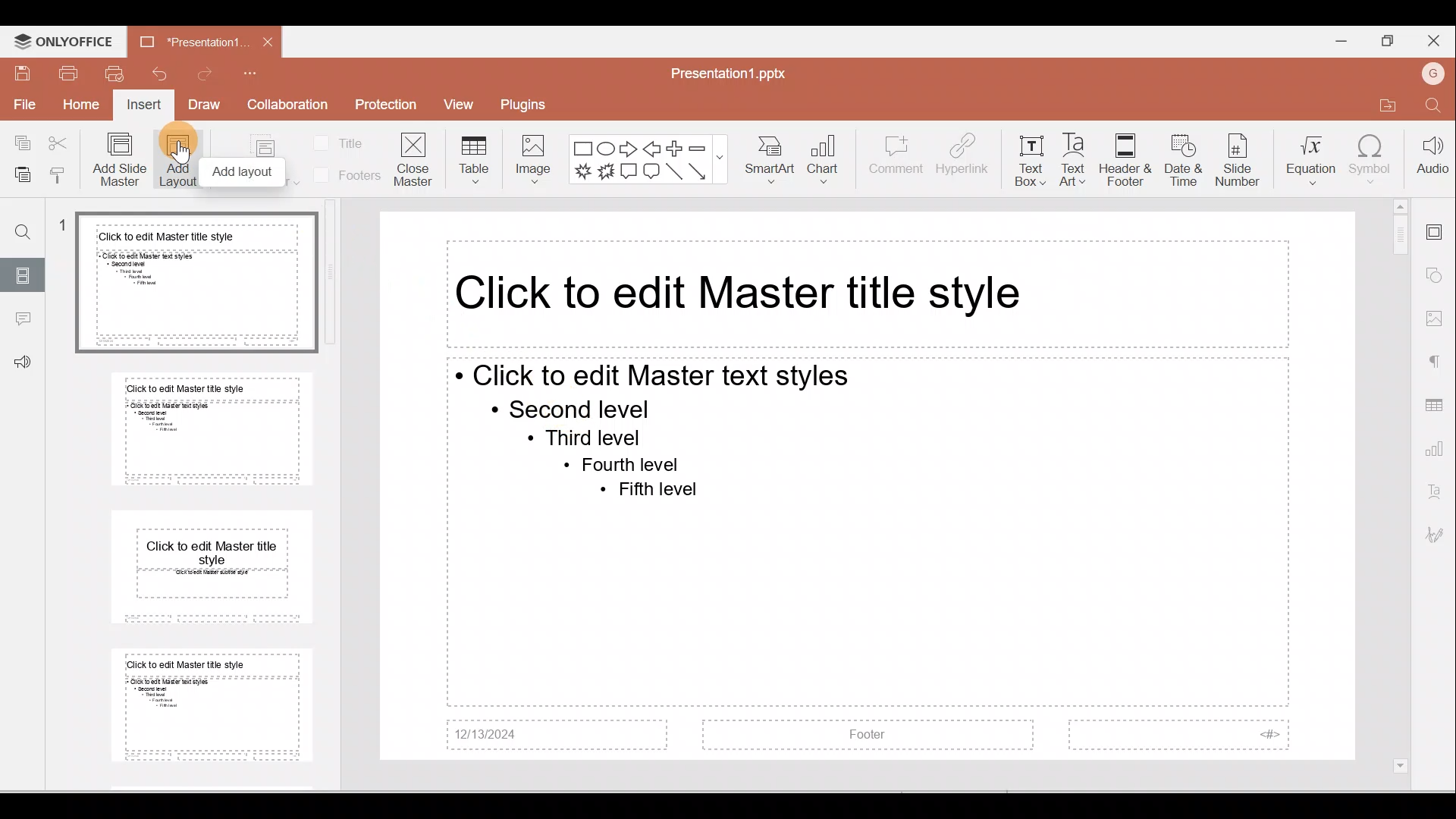 The image size is (1456, 819). I want to click on Title, so click(346, 139).